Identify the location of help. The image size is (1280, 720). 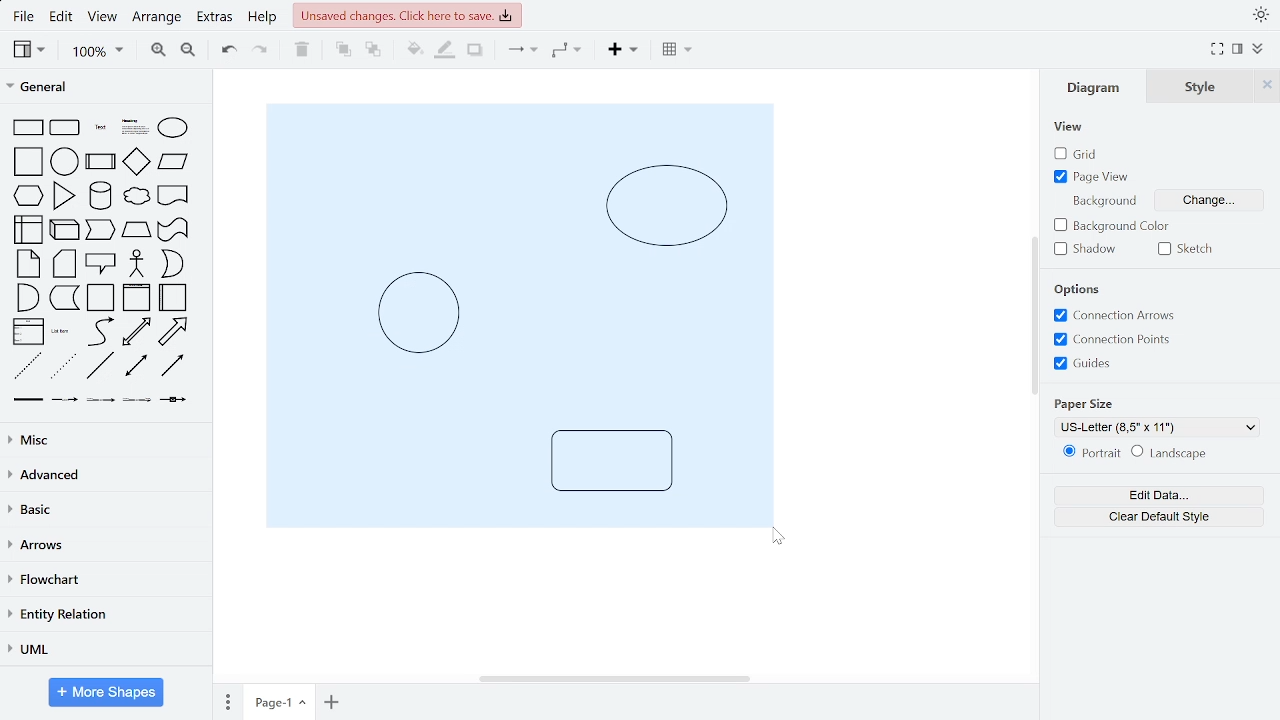
(264, 19).